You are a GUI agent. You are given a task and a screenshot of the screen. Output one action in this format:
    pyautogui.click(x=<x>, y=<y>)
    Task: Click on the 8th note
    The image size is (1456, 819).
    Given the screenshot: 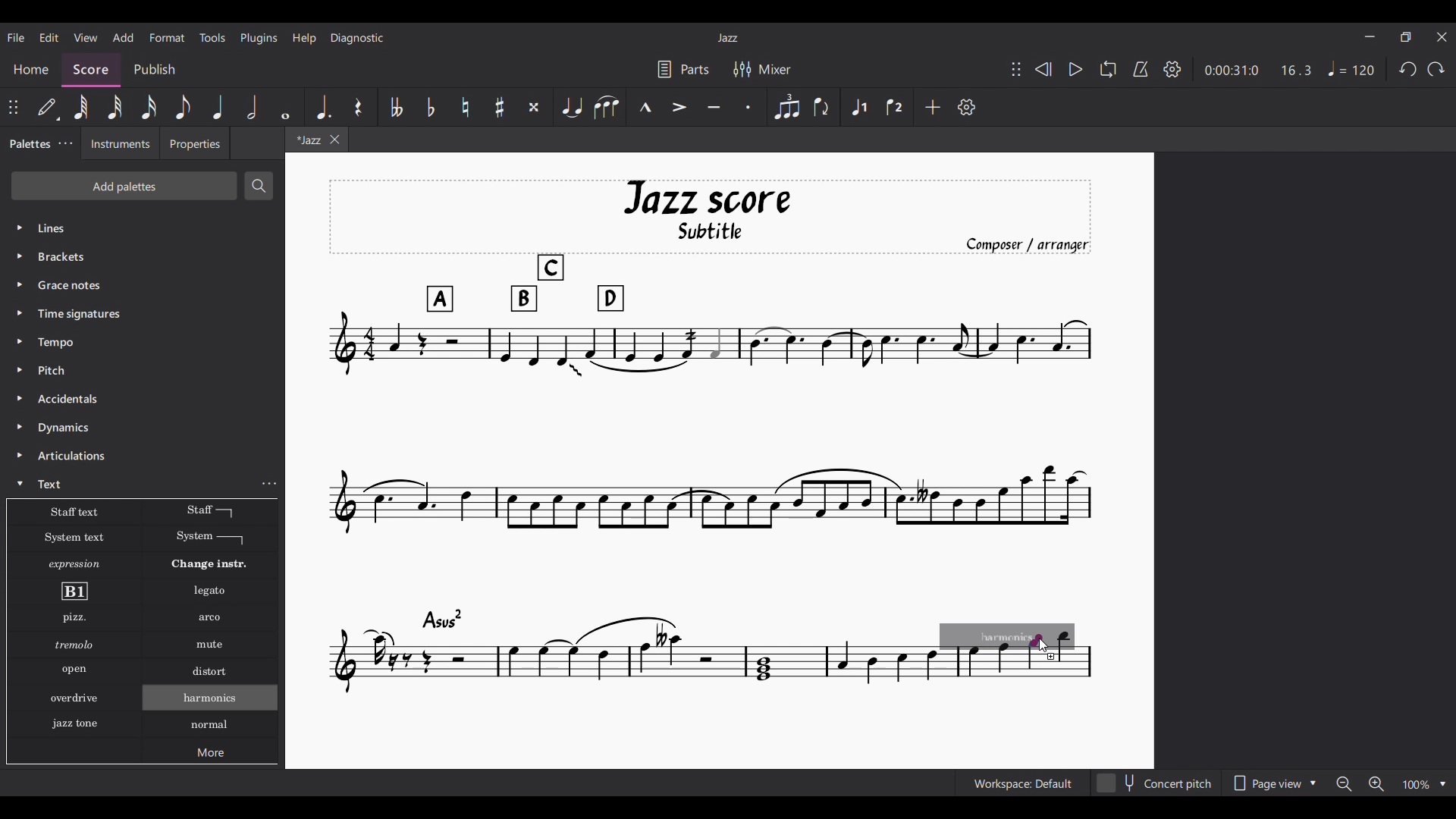 What is the action you would take?
    pyautogui.click(x=184, y=107)
    